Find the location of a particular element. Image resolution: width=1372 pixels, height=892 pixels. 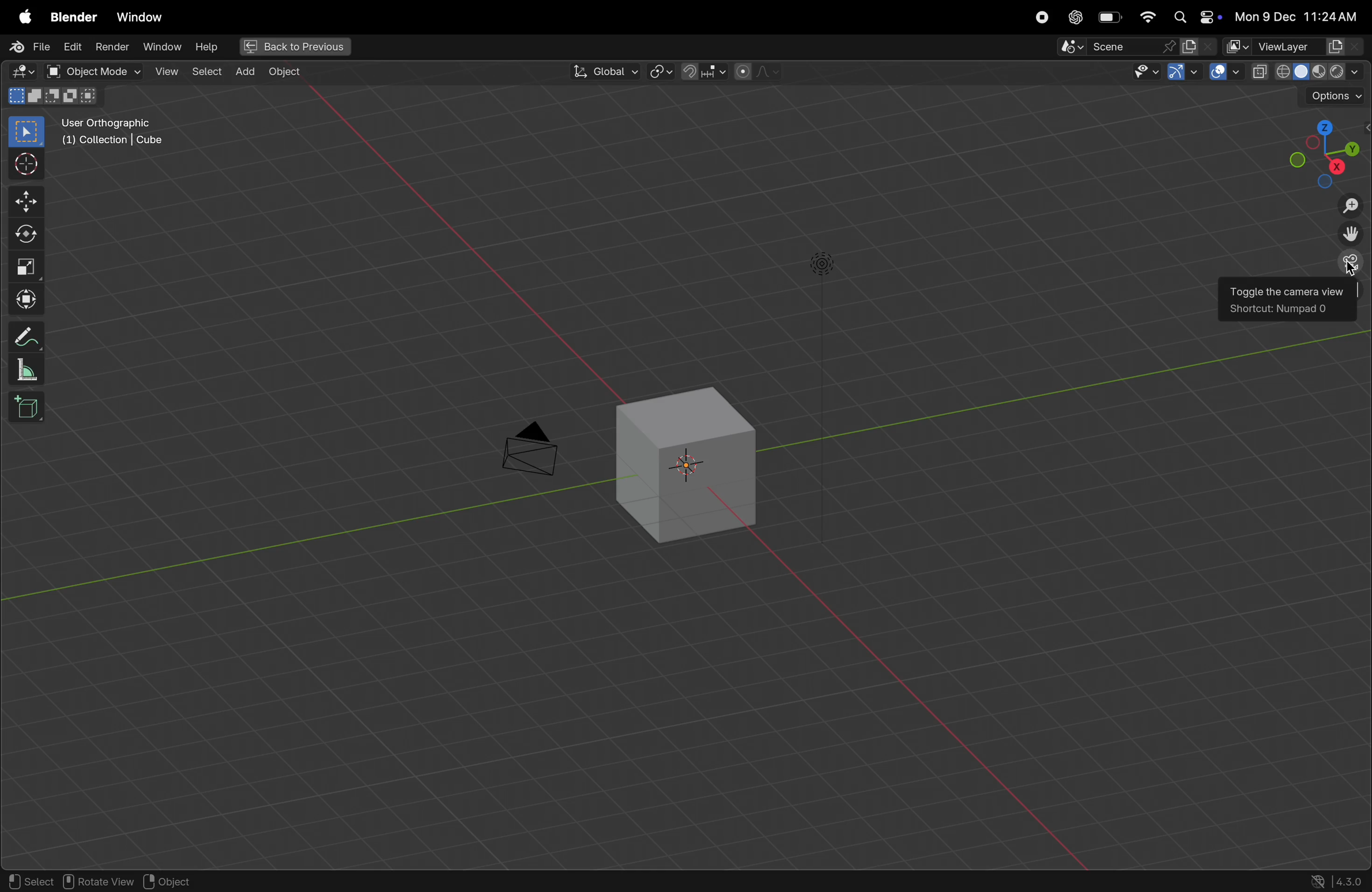

snapping is located at coordinates (701, 71).